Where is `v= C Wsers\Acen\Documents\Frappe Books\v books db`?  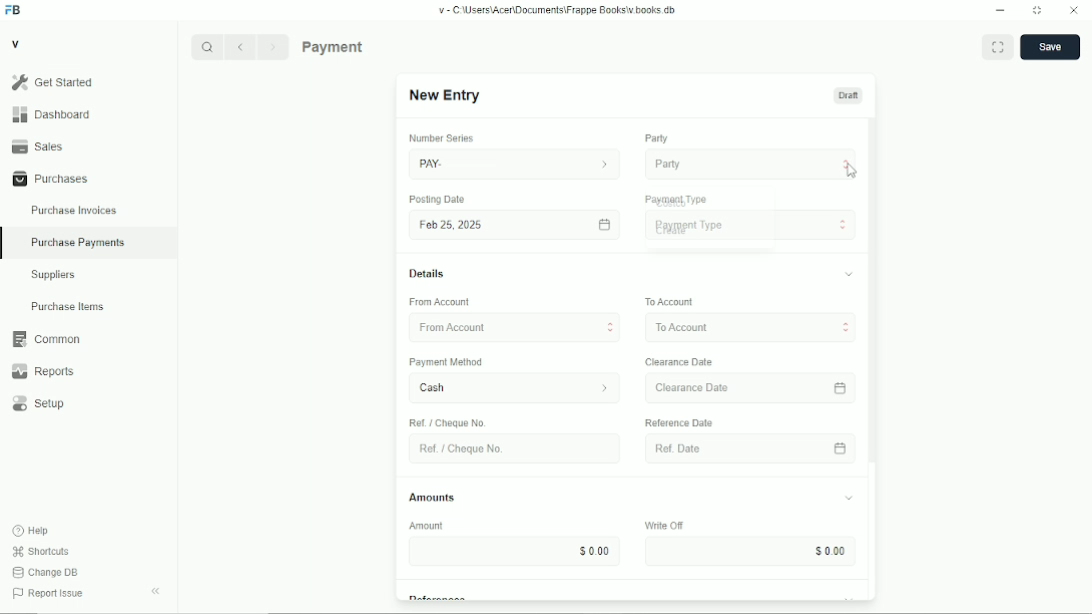 v= C Wsers\Acen\Documents\Frappe Books\v books db is located at coordinates (558, 10).